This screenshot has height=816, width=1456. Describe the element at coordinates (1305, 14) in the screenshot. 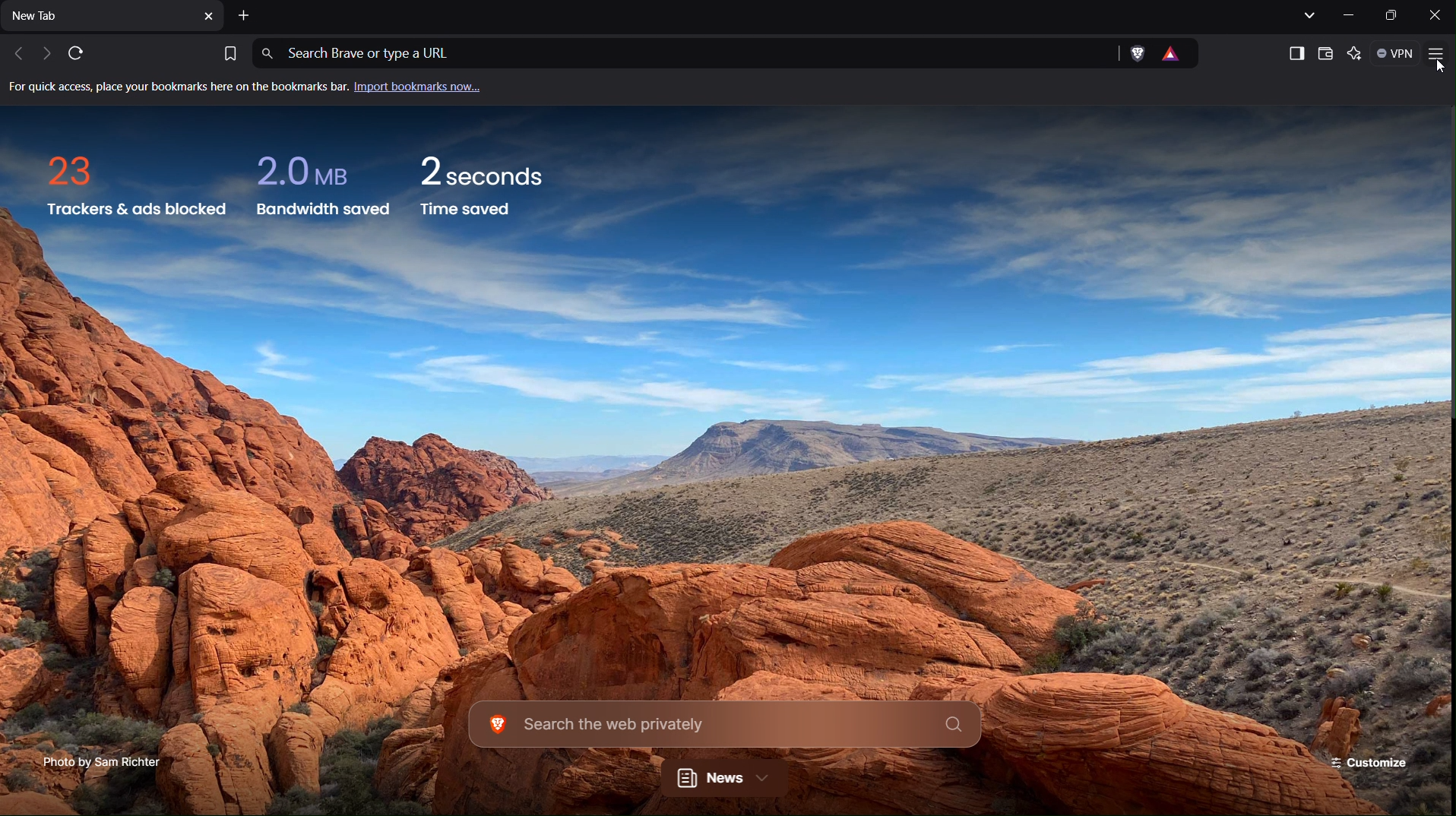

I see `List all tabs` at that location.